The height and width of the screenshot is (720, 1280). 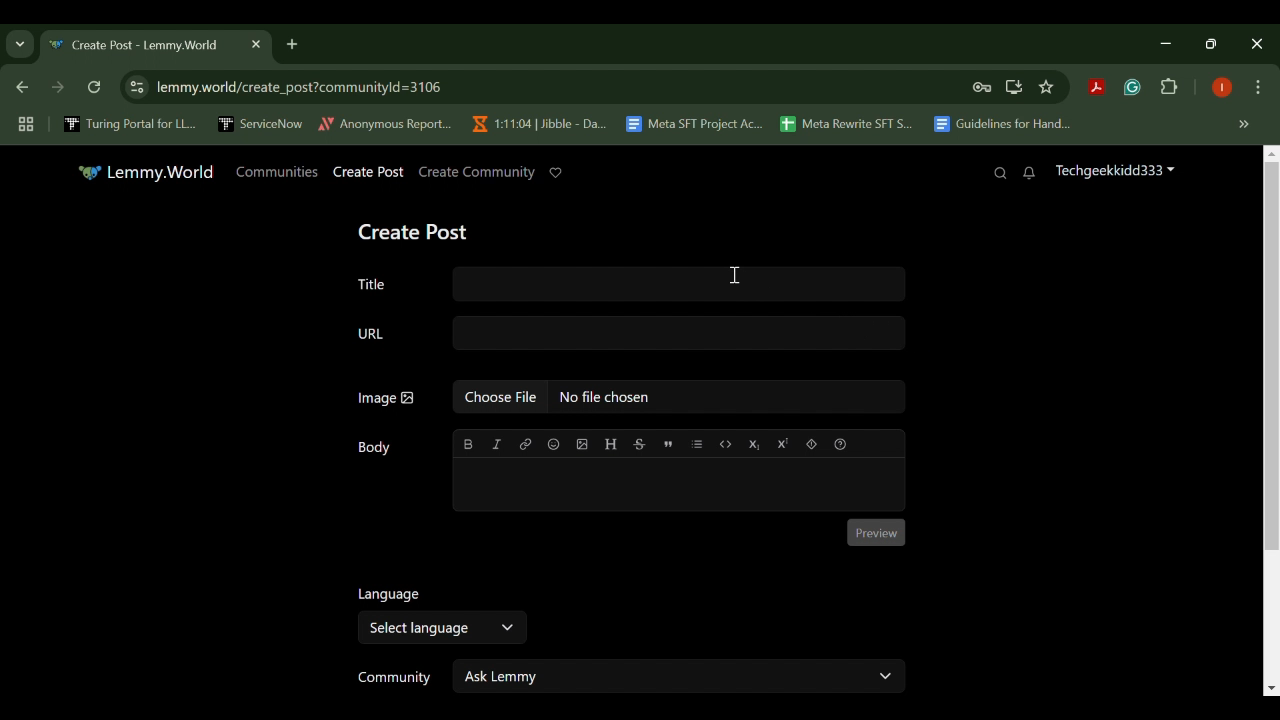 I want to click on Cursor on Post Title Field, so click(x=735, y=279).